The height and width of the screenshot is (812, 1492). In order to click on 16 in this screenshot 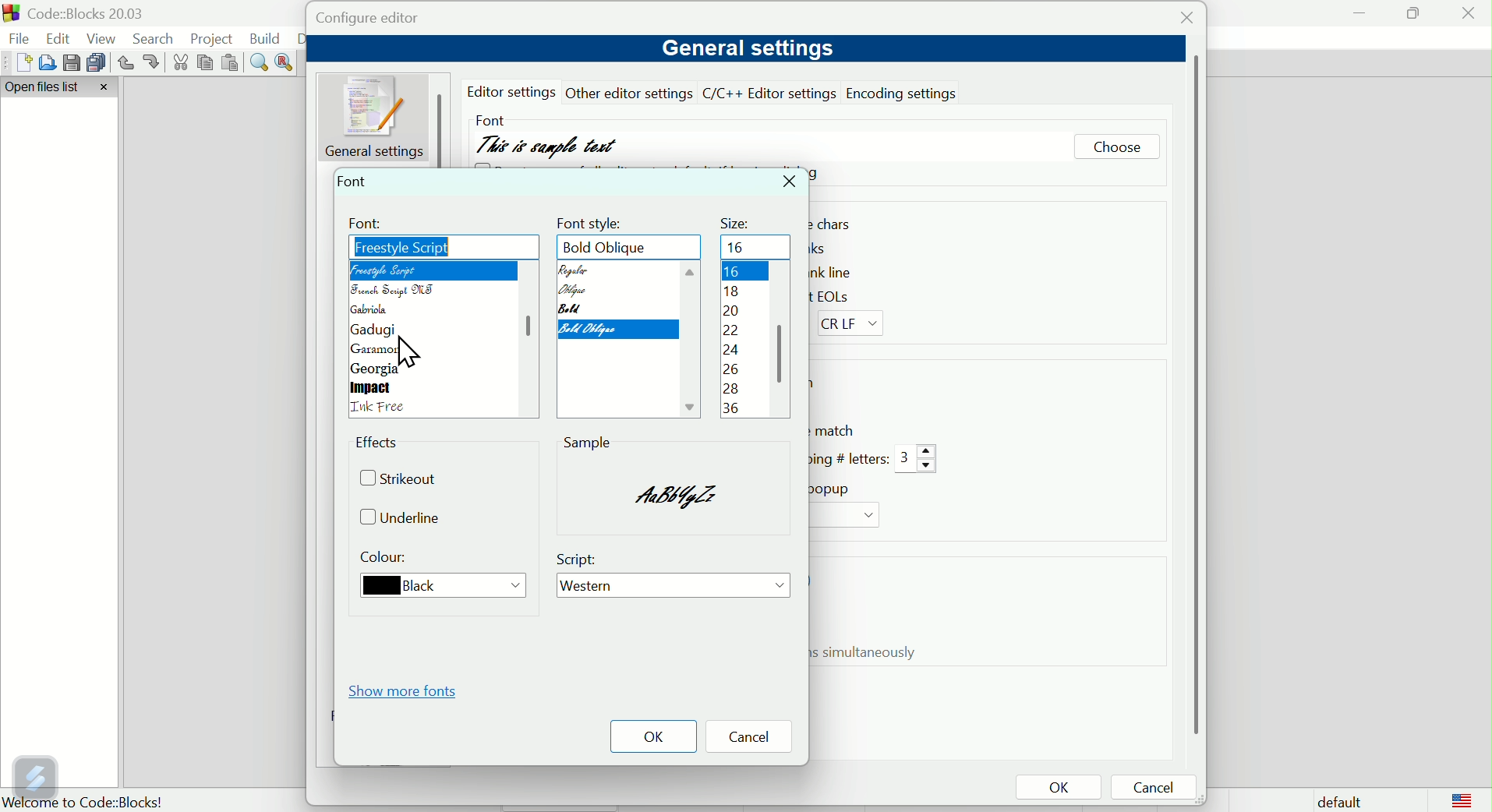, I will do `click(741, 246)`.